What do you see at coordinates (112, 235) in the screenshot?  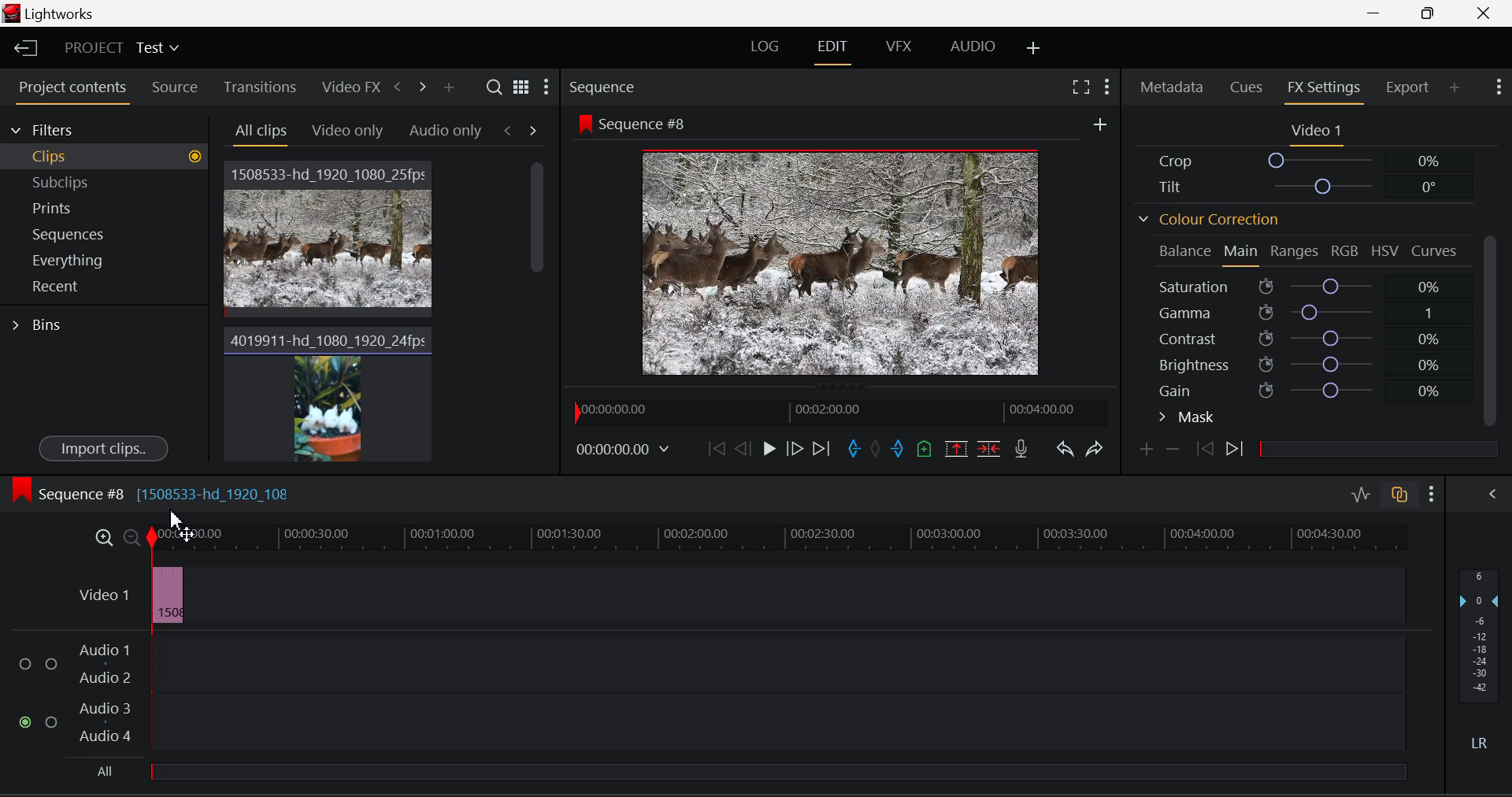 I see `Sequences` at bounding box center [112, 235].